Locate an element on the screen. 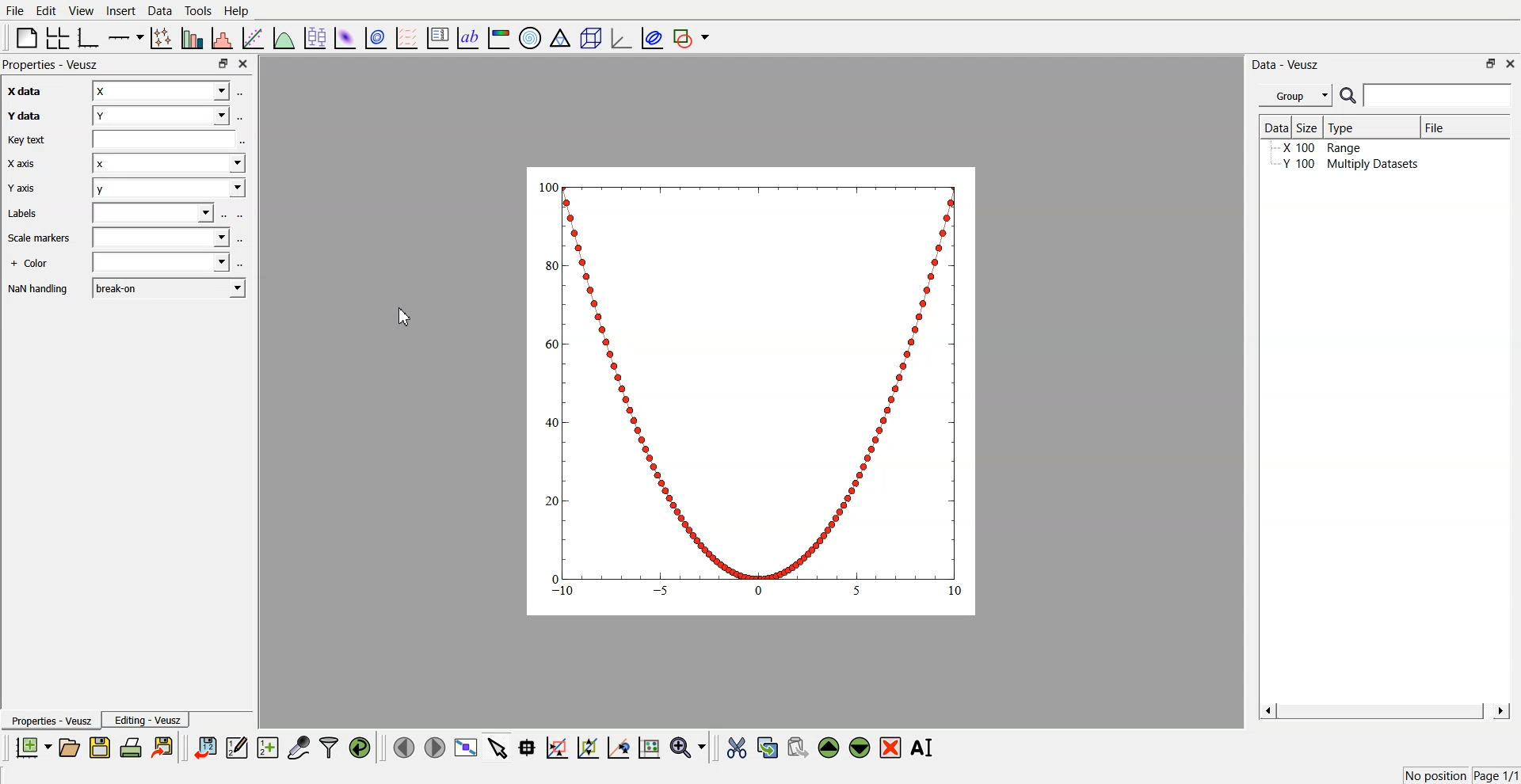  edit and enter data points is located at coordinates (237, 749).